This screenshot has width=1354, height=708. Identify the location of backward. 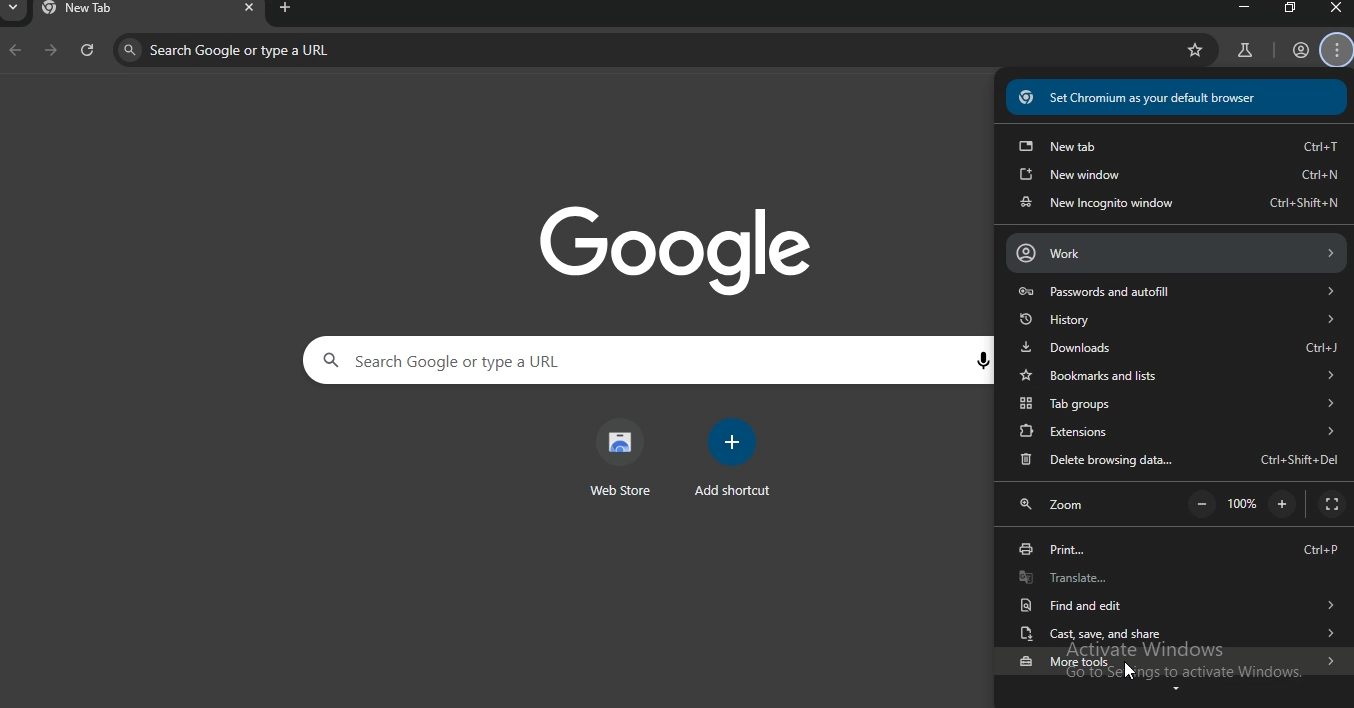
(15, 50).